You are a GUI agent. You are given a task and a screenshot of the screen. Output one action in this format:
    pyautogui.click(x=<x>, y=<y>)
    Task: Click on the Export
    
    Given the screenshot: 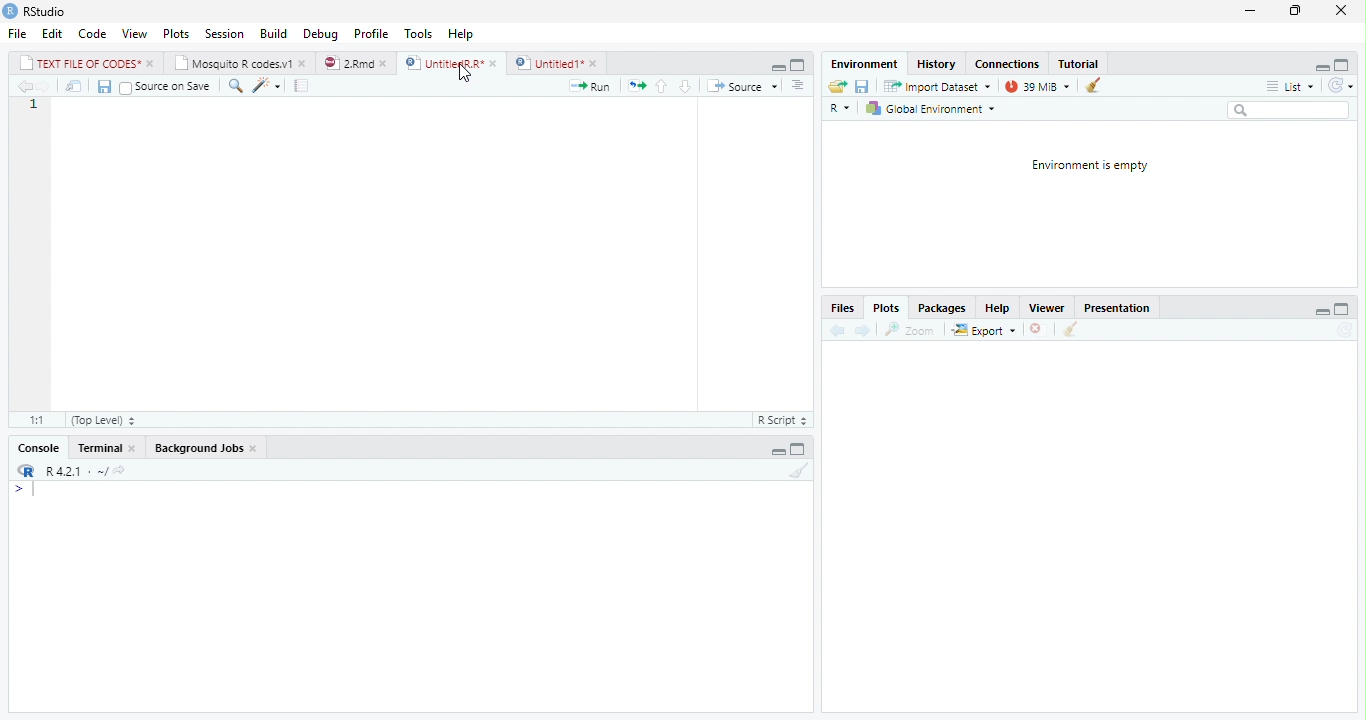 What is the action you would take?
    pyautogui.click(x=984, y=330)
    